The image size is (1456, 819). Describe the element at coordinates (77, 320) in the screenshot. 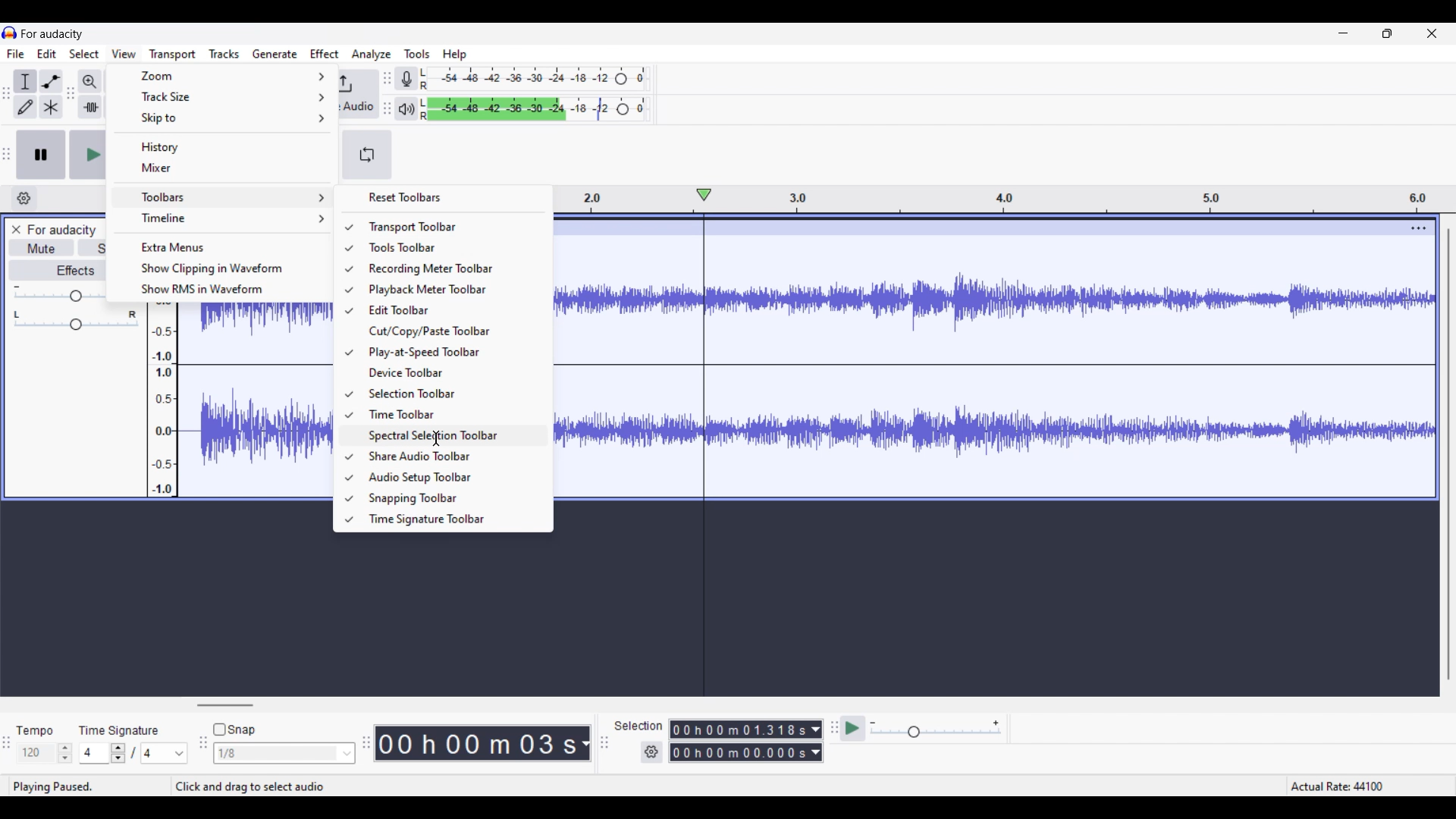

I see `Pan scale` at that location.